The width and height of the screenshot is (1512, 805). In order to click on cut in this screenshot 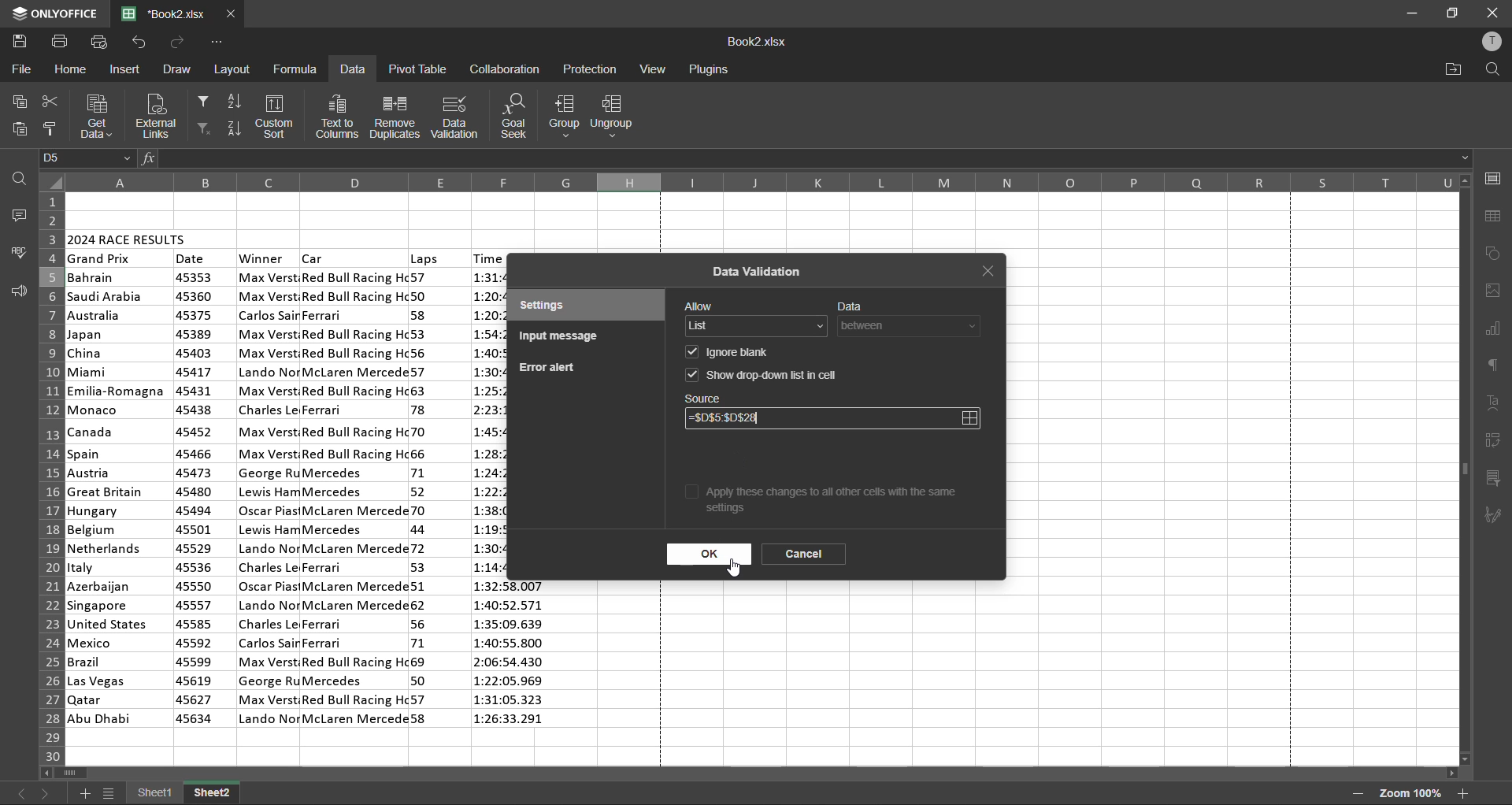, I will do `click(47, 104)`.